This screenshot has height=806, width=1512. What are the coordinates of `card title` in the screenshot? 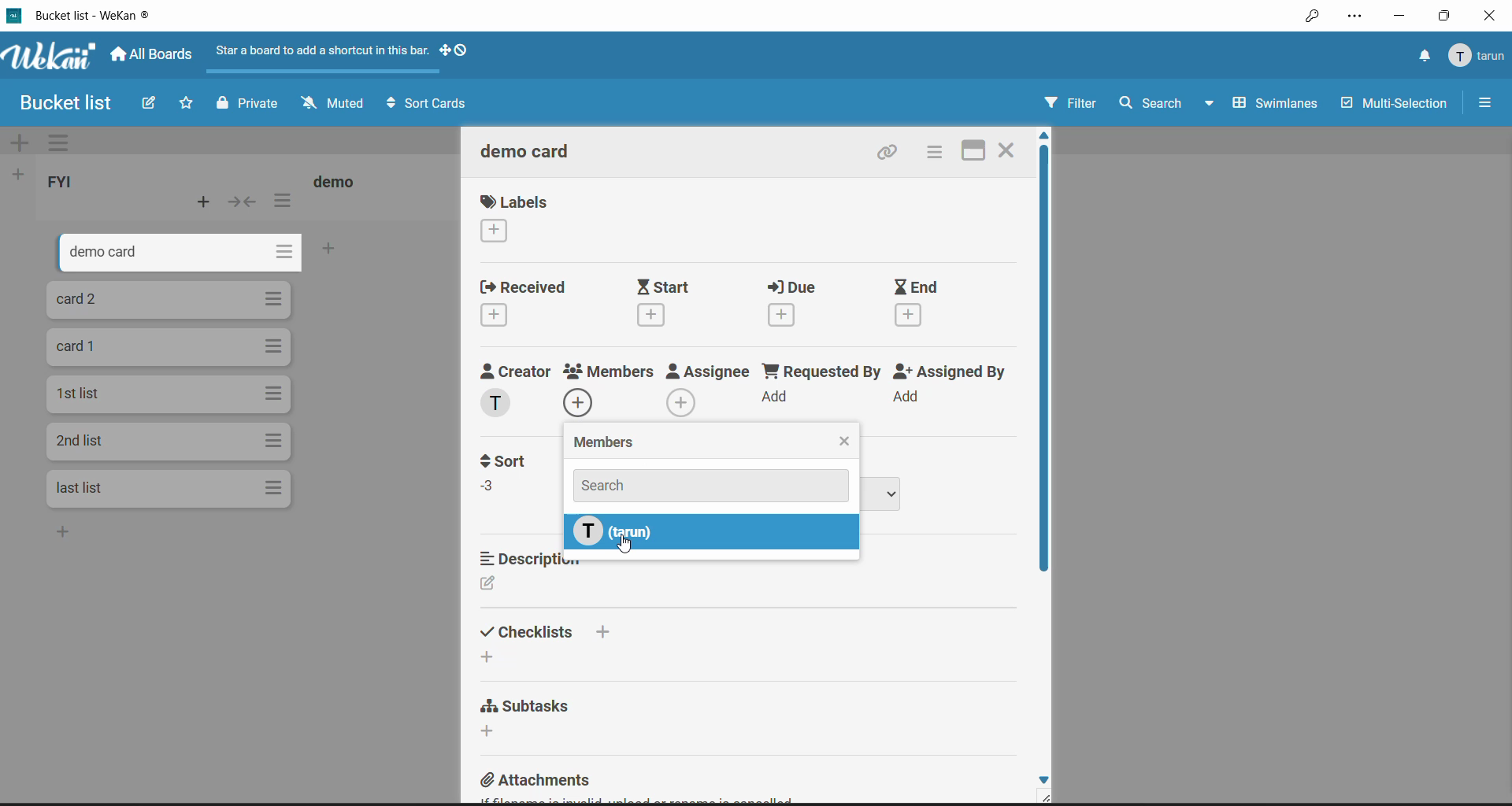 It's located at (94, 255).